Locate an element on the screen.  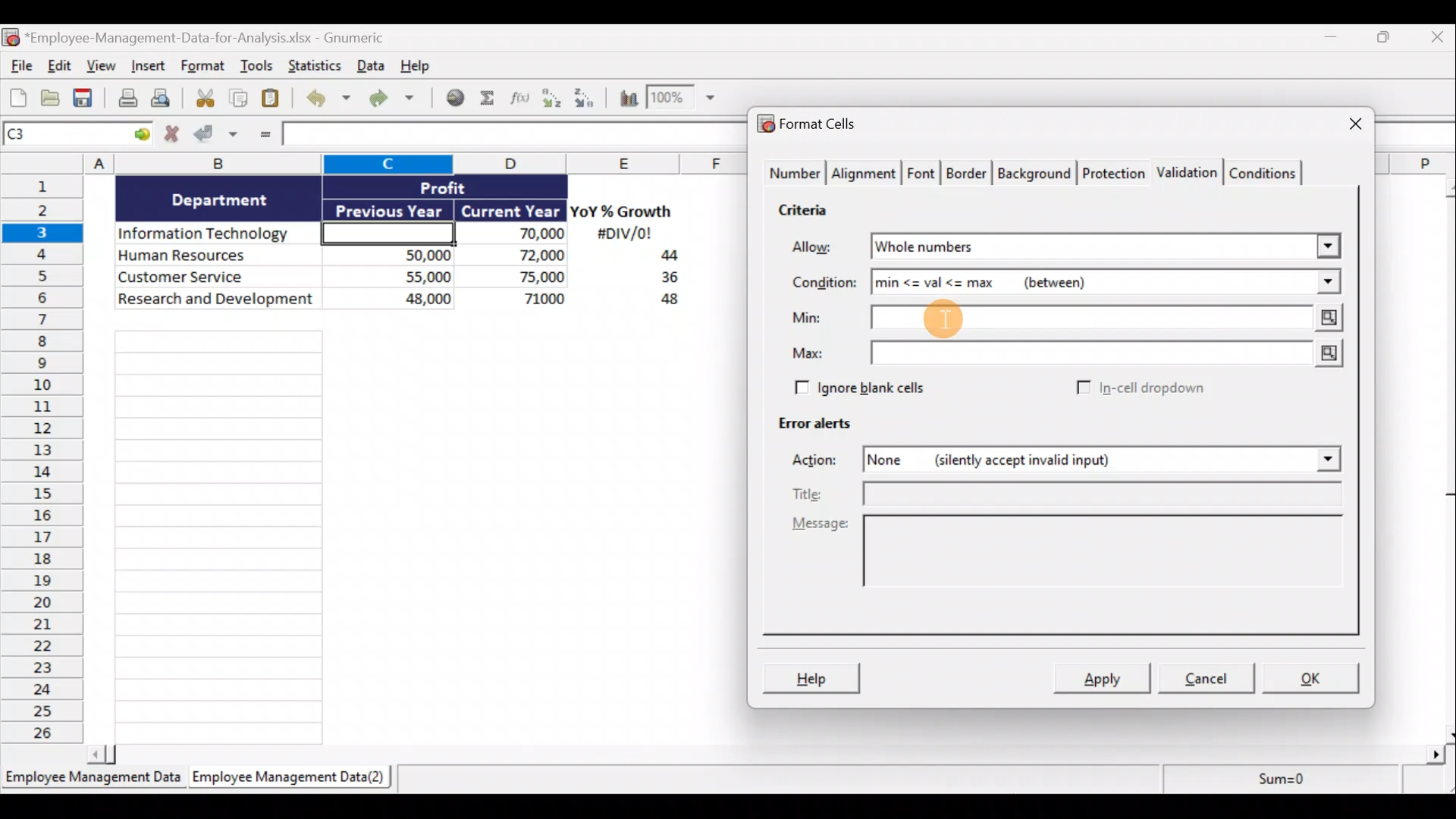
Cell C3 is located at coordinates (384, 231).